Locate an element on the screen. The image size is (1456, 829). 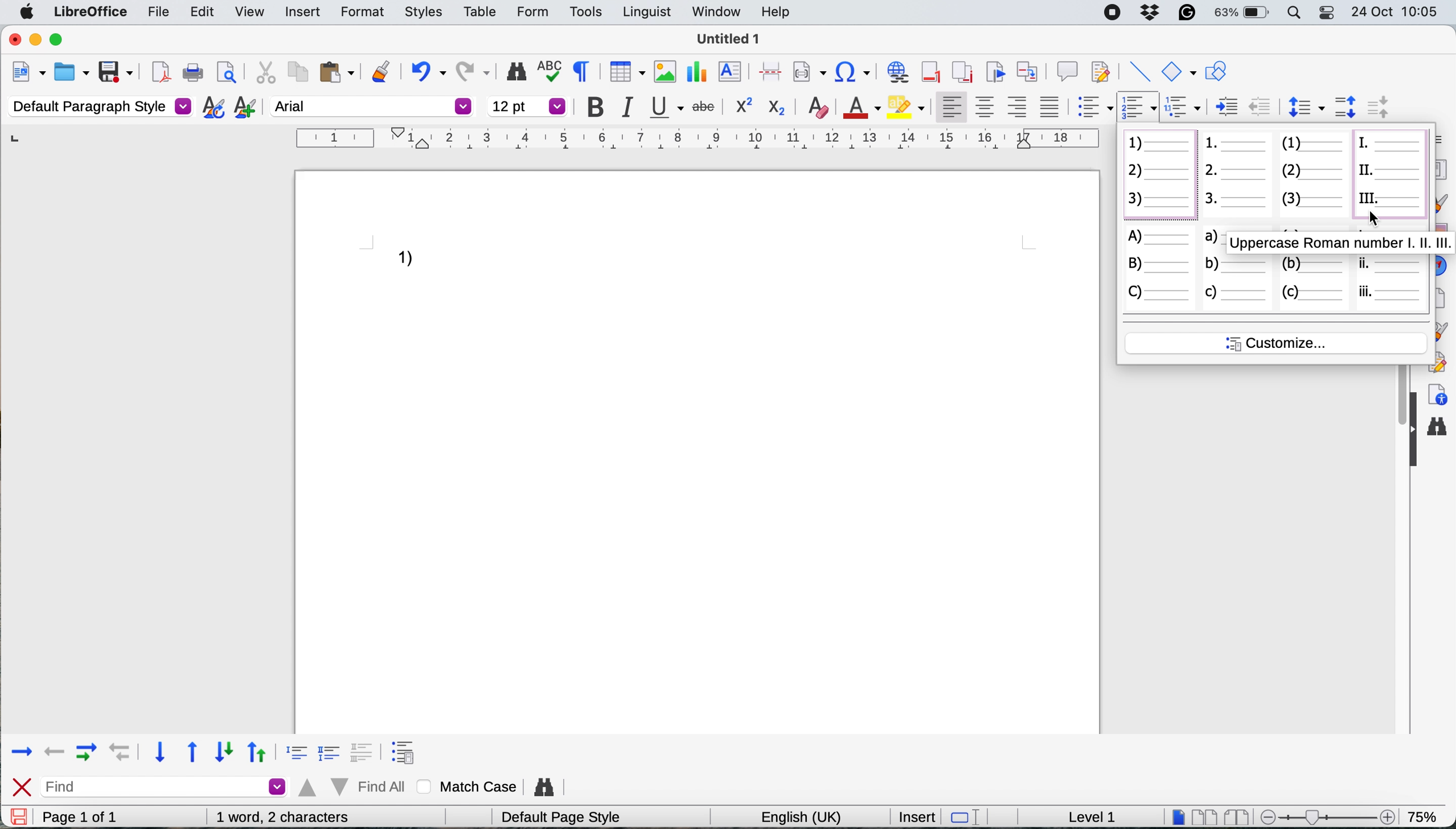
insert is located at coordinates (302, 11).